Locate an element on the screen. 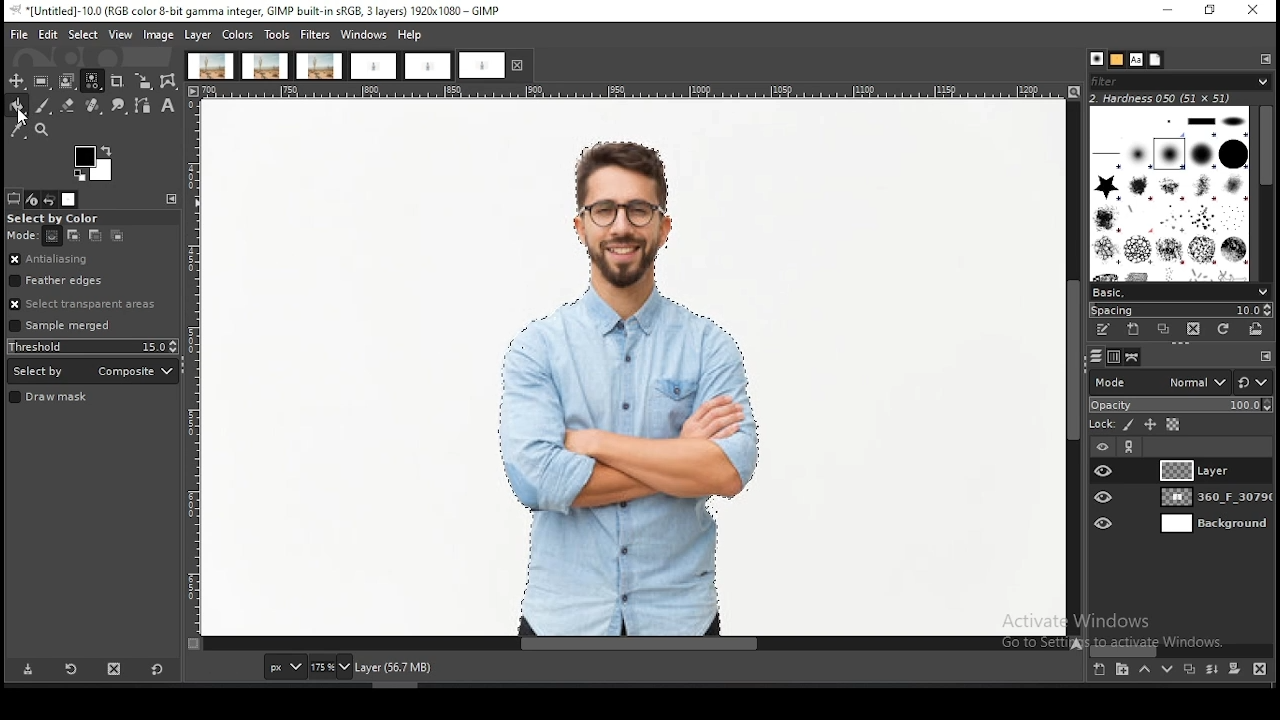 The image size is (1280, 720). reset is located at coordinates (1254, 381).